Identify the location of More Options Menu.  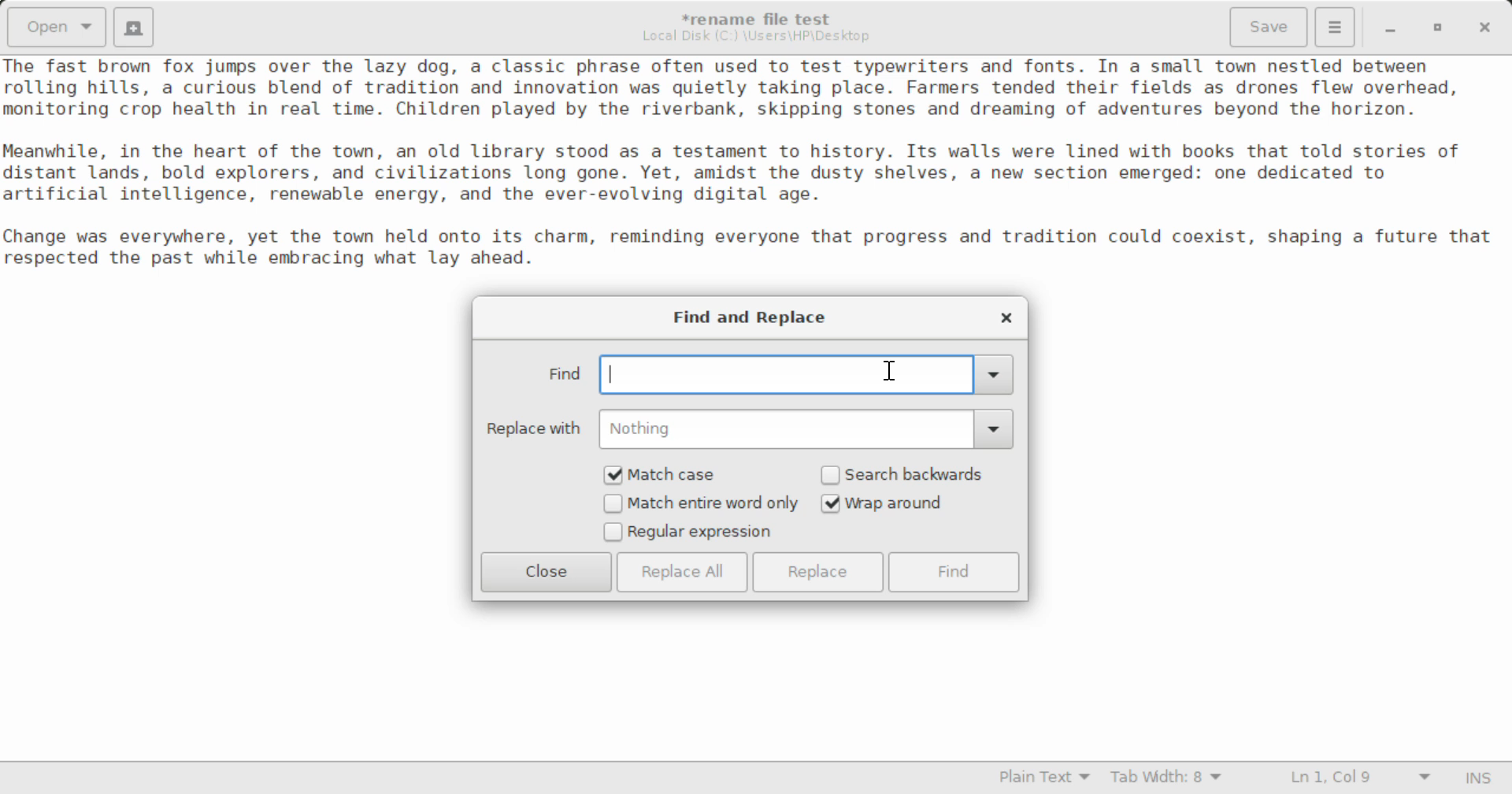
(1336, 28).